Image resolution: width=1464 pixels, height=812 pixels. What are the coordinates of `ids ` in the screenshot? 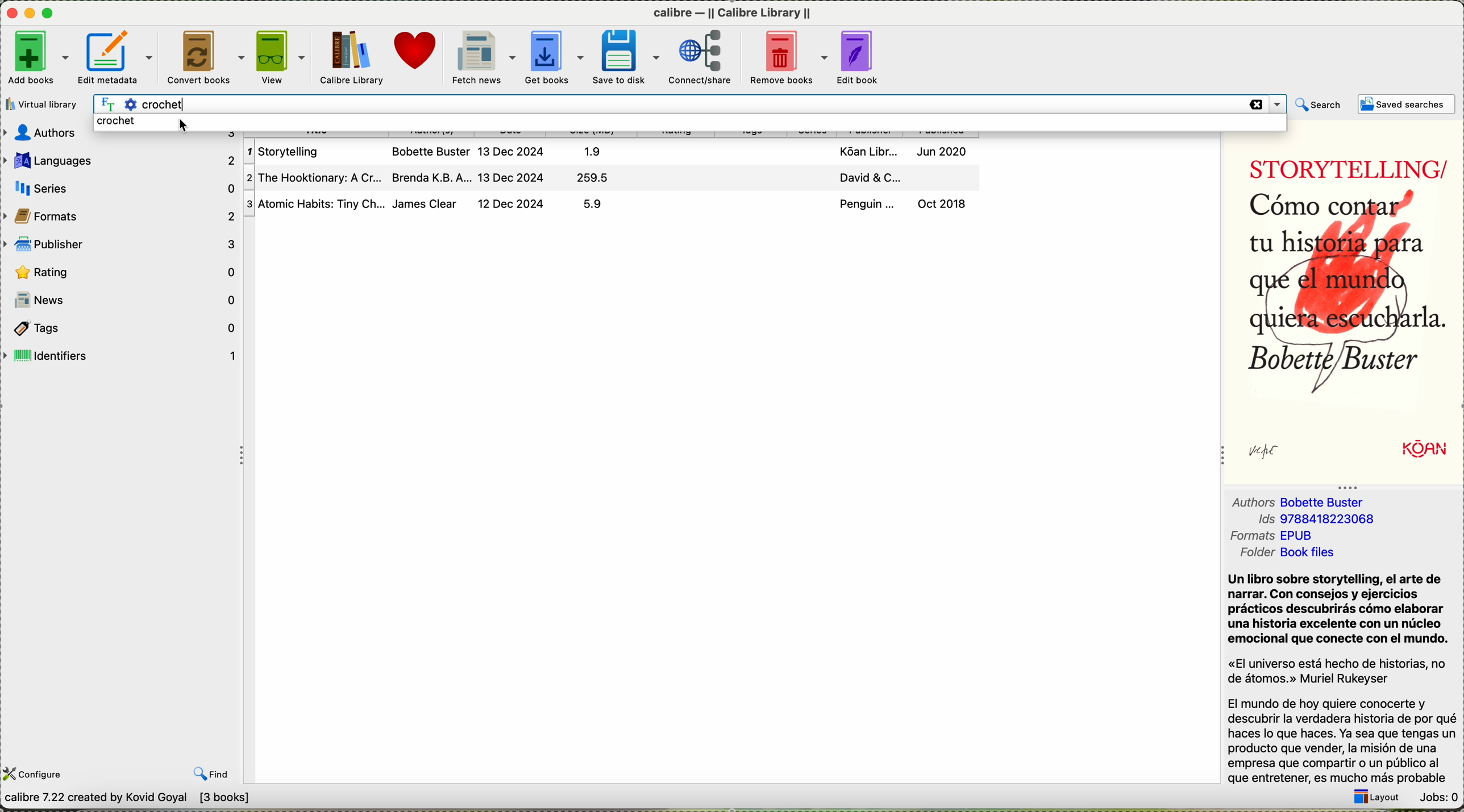 It's located at (1253, 520).